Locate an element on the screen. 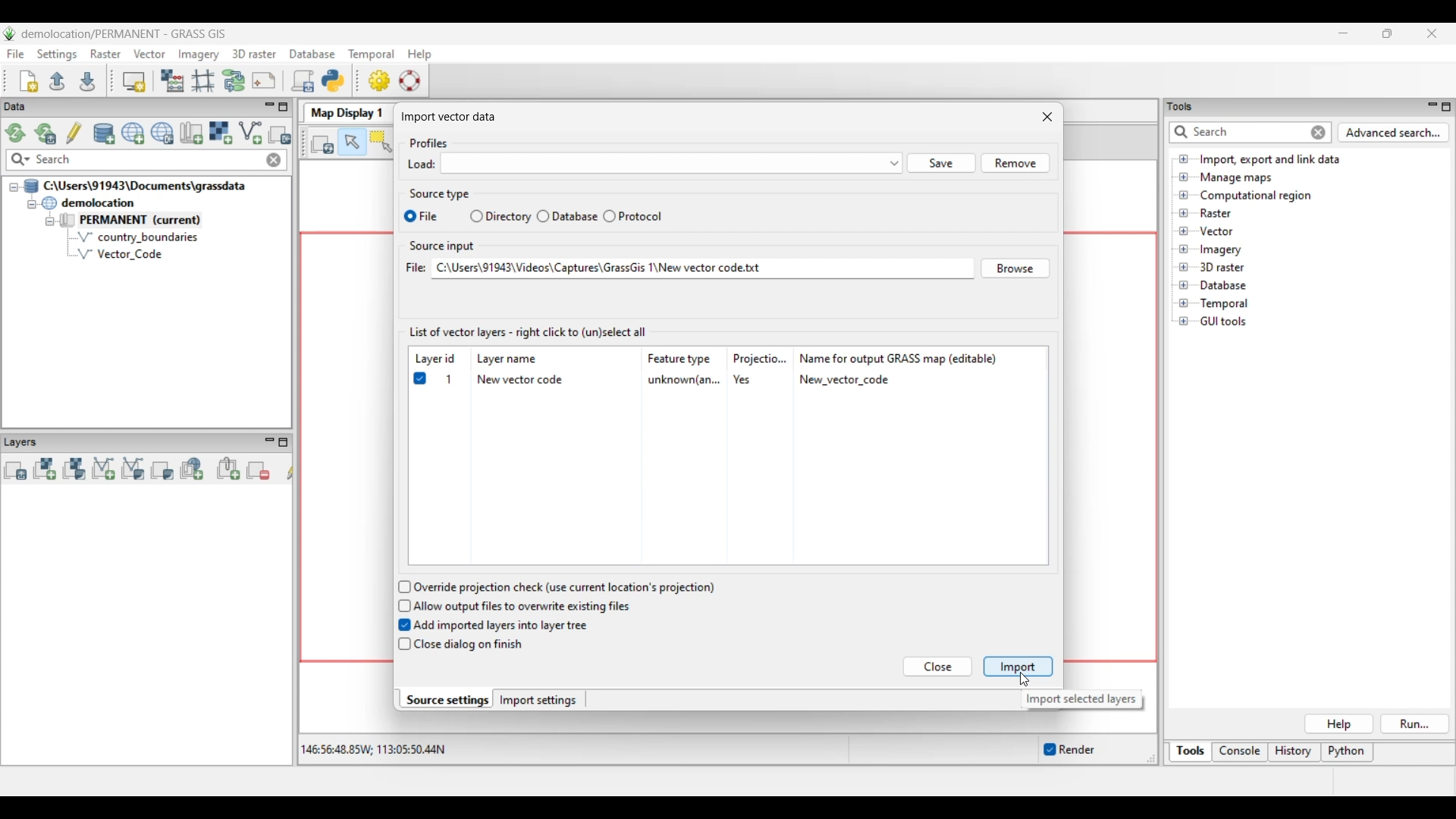  Double click to see files under Vector is located at coordinates (1216, 231).